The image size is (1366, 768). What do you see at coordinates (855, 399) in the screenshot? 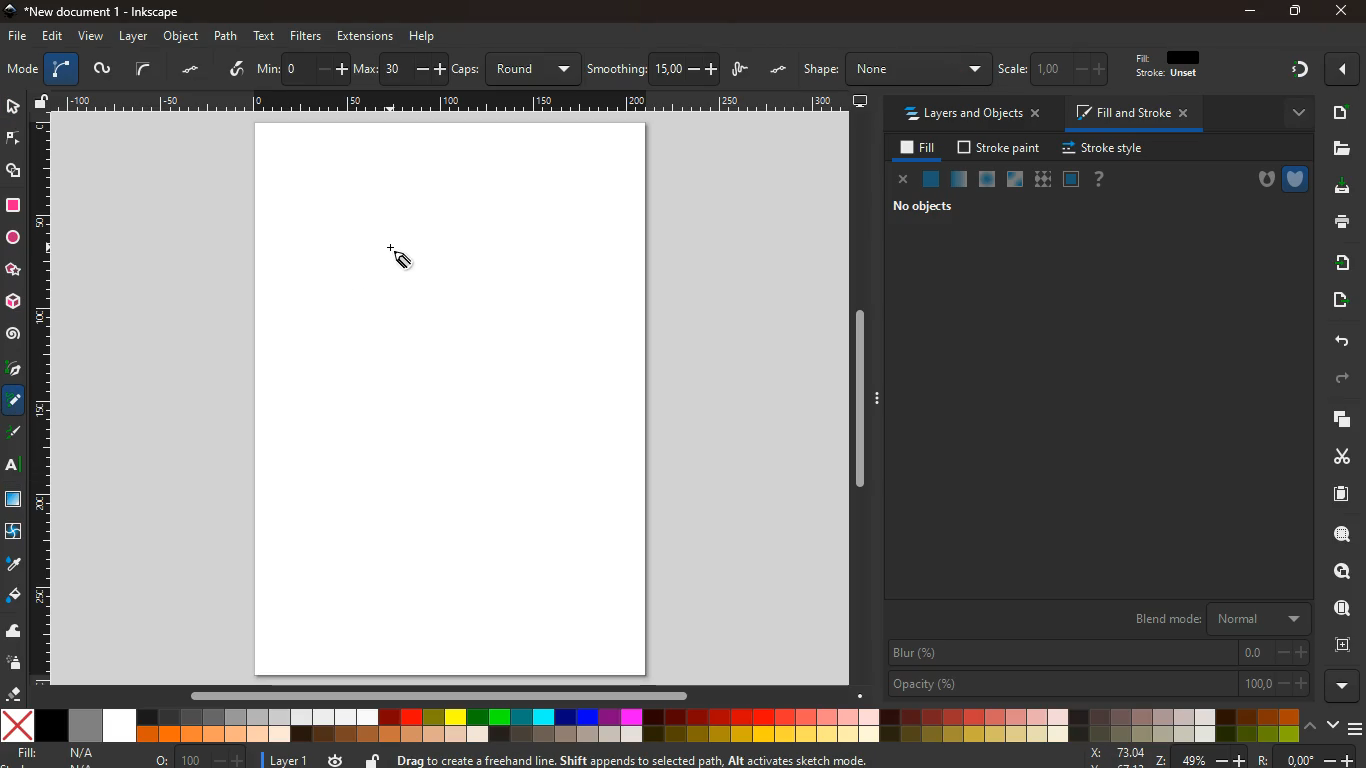
I see `Vertical scroll bar` at bounding box center [855, 399].